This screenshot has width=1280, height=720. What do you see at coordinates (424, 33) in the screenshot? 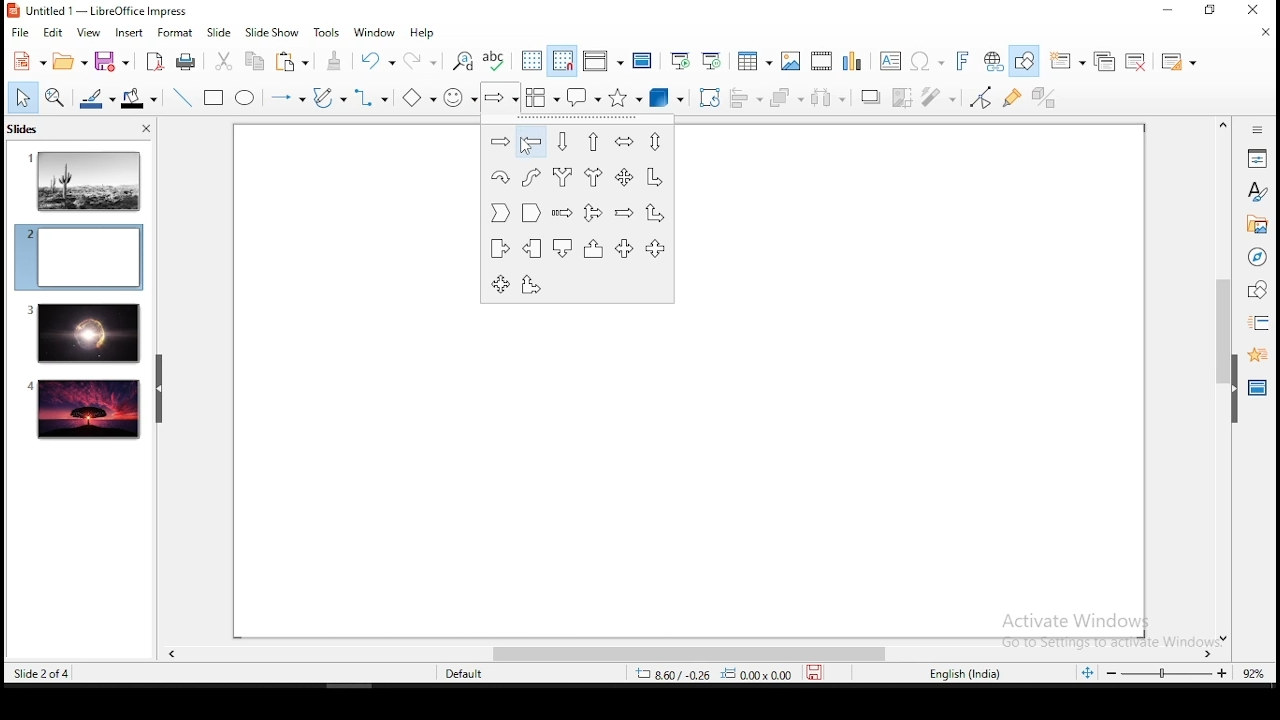
I see `help` at bounding box center [424, 33].